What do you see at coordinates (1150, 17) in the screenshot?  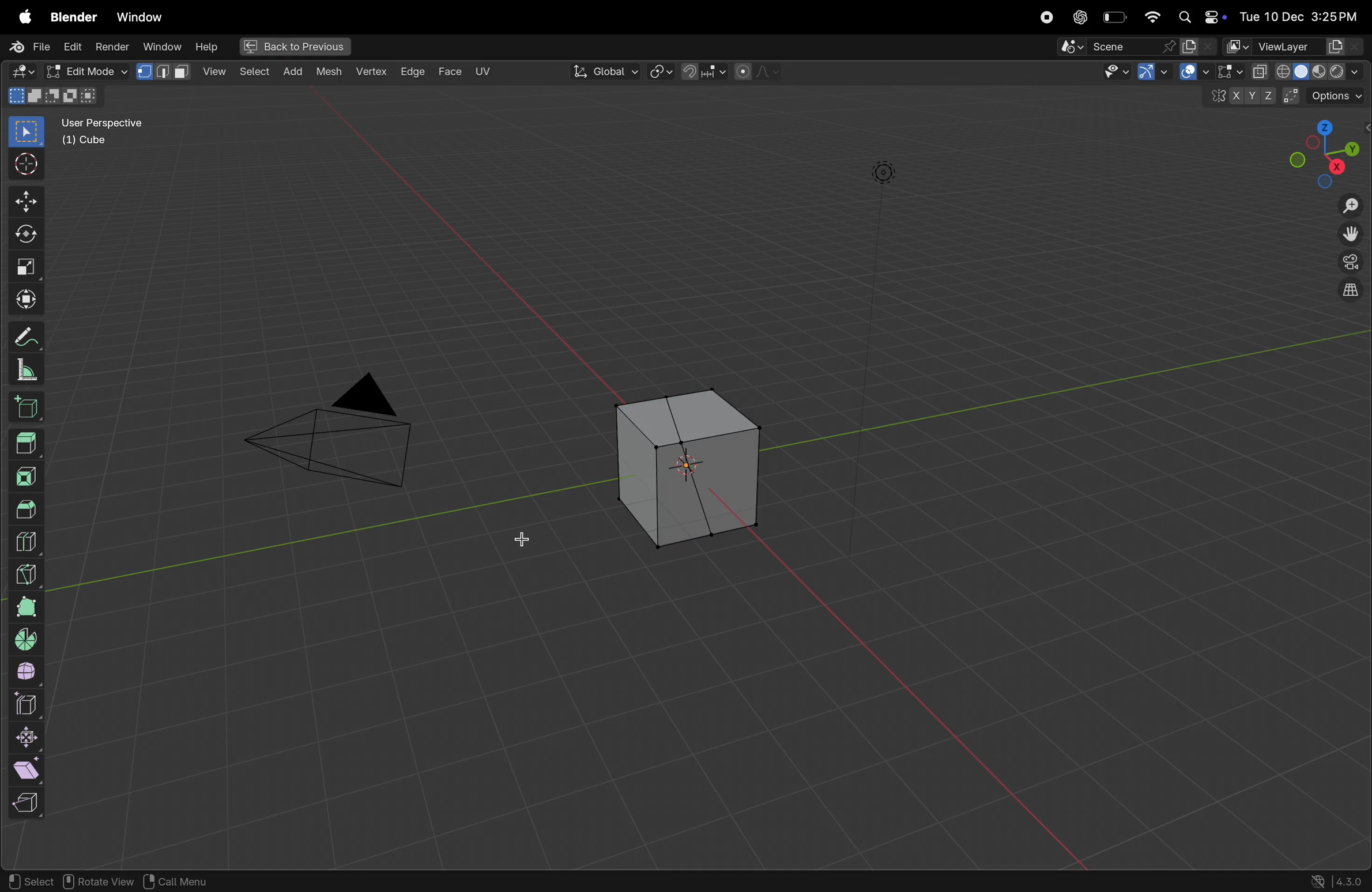 I see `Wifi` at bounding box center [1150, 17].